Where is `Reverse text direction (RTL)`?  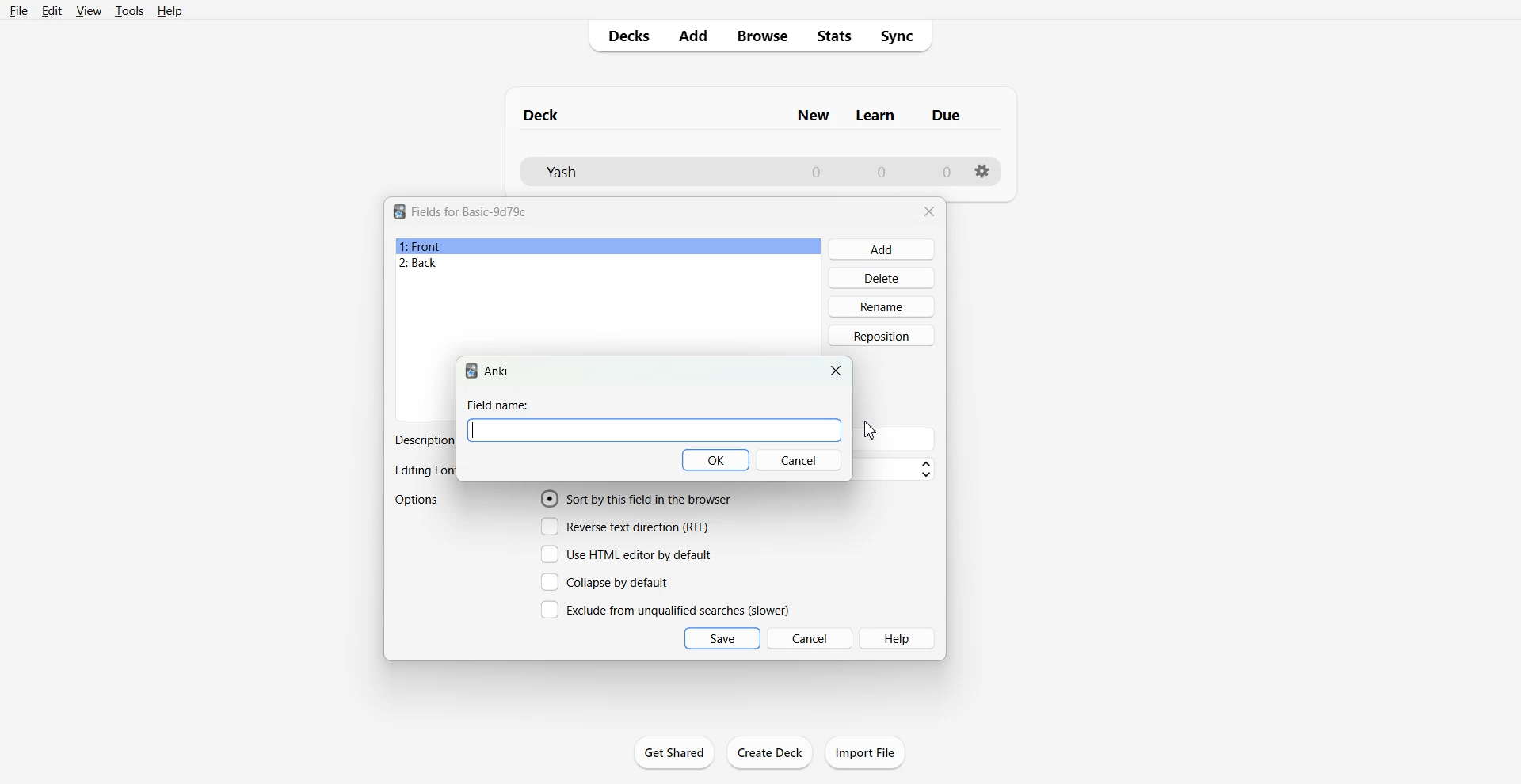
Reverse text direction (RTL) is located at coordinates (625, 527).